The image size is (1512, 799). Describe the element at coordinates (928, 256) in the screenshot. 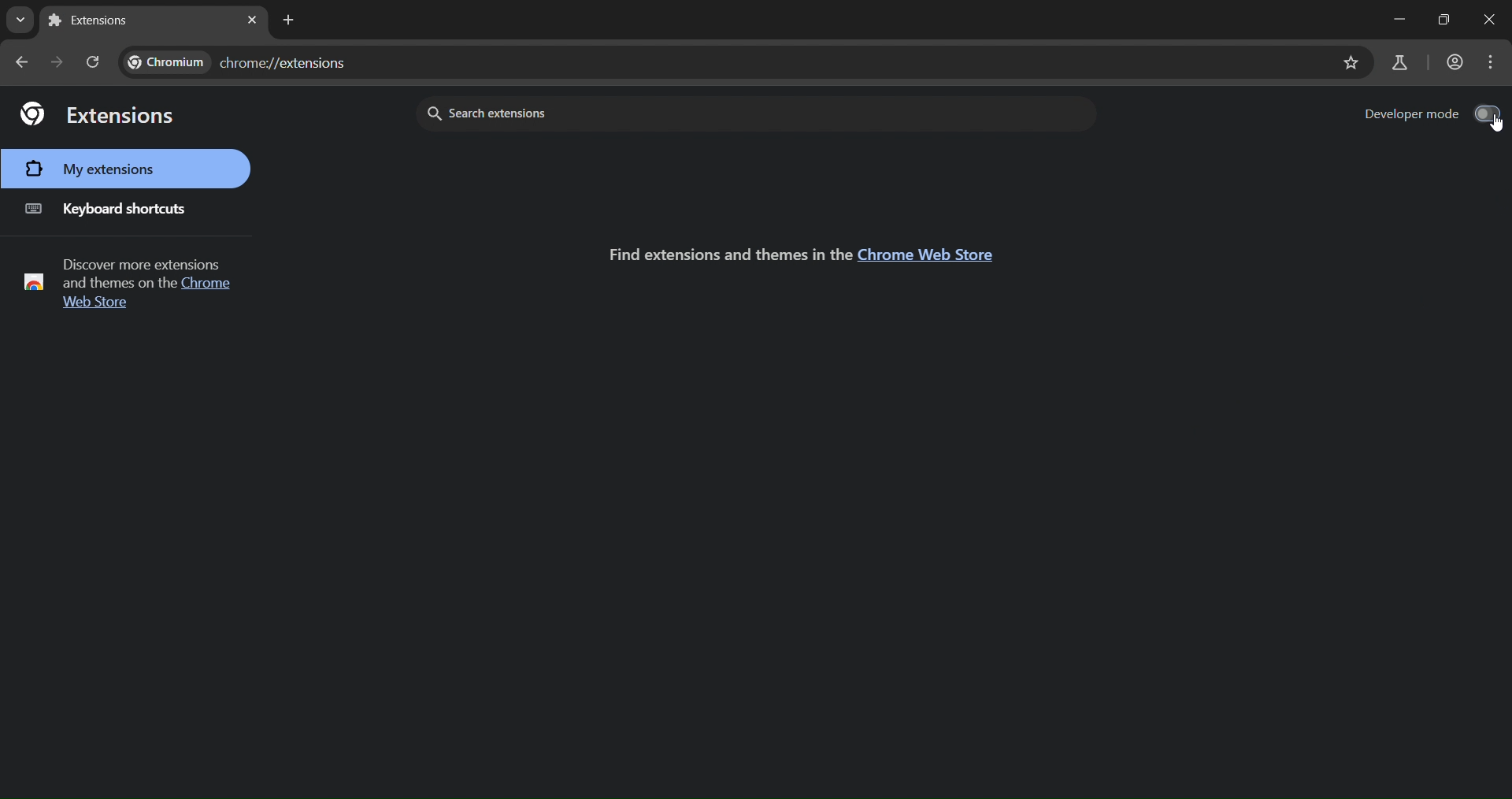

I see ` Chrome Web Store` at that location.